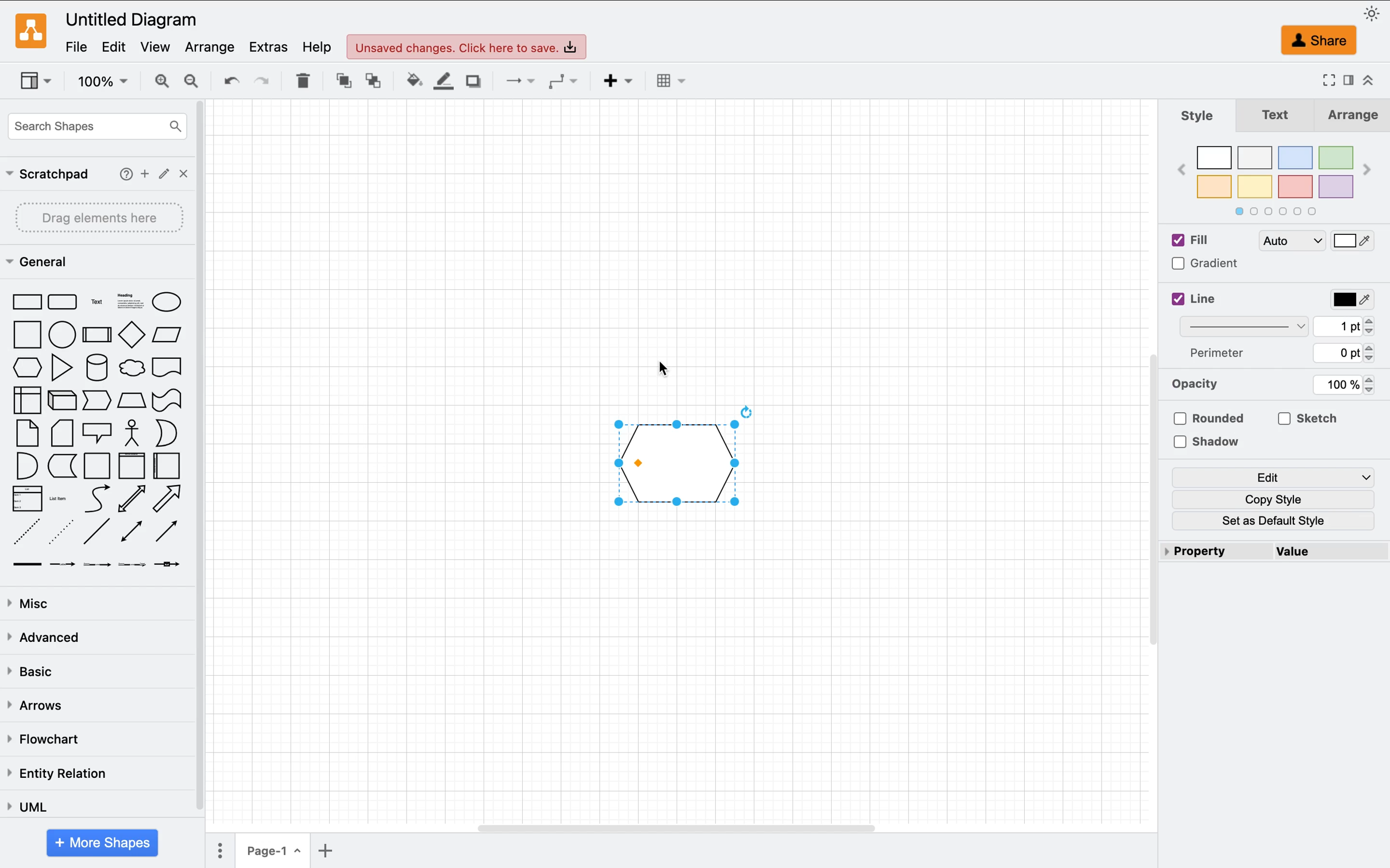 This screenshot has width=1390, height=868. I want to click on Shadow, so click(1210, 445).